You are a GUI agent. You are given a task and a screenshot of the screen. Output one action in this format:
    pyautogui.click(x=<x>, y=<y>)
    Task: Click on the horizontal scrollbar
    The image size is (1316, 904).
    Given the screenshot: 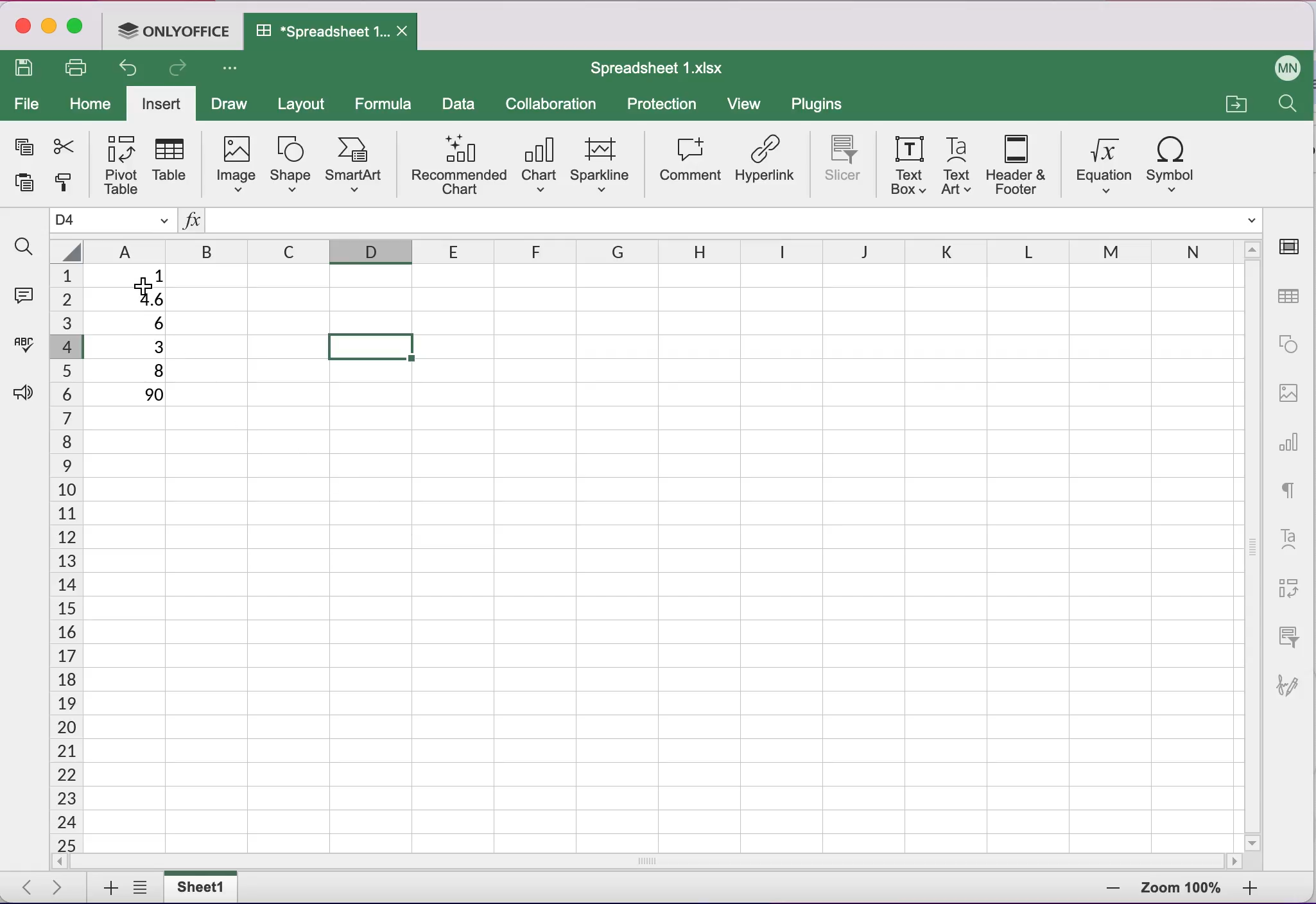 What is the action you would take?
    pyautogui.click(x=399, y=861)
    